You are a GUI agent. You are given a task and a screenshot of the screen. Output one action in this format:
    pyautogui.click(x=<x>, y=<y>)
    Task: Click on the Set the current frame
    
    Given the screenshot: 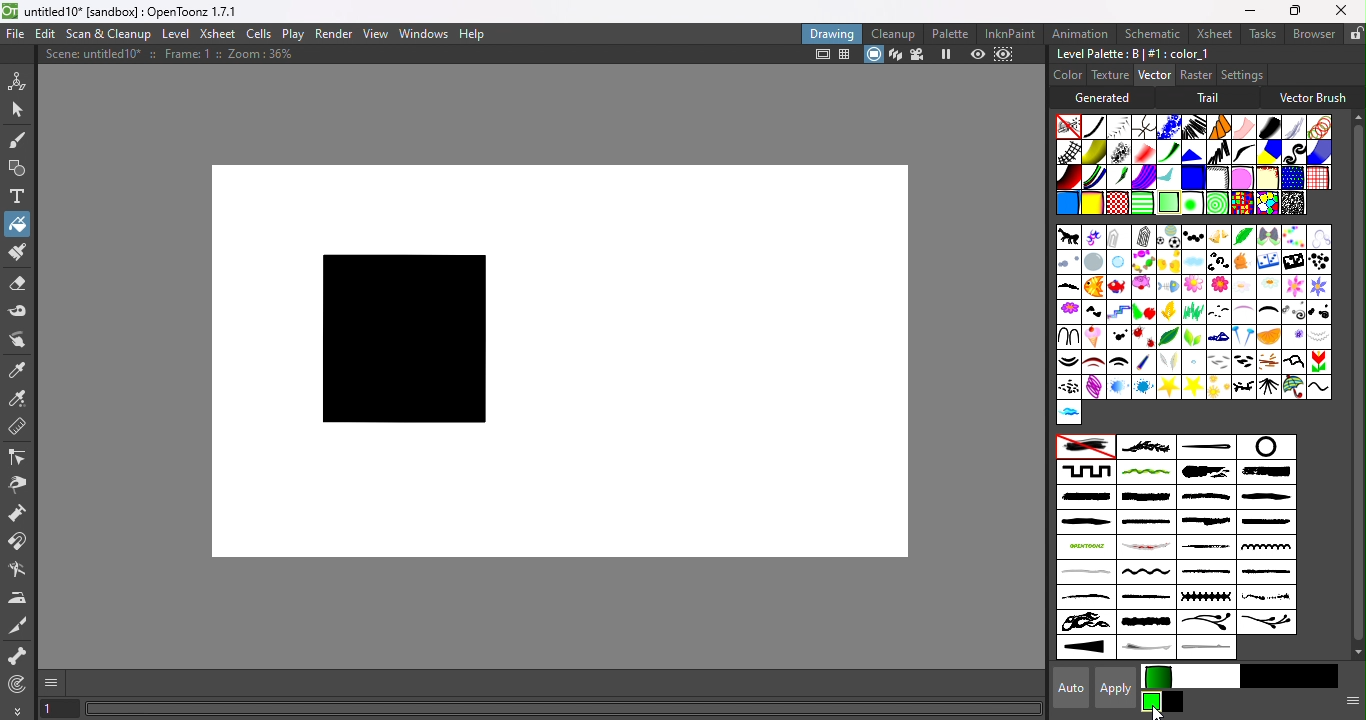 What is the action you would take?
    pyautogui.click(x=59, y=710)
    